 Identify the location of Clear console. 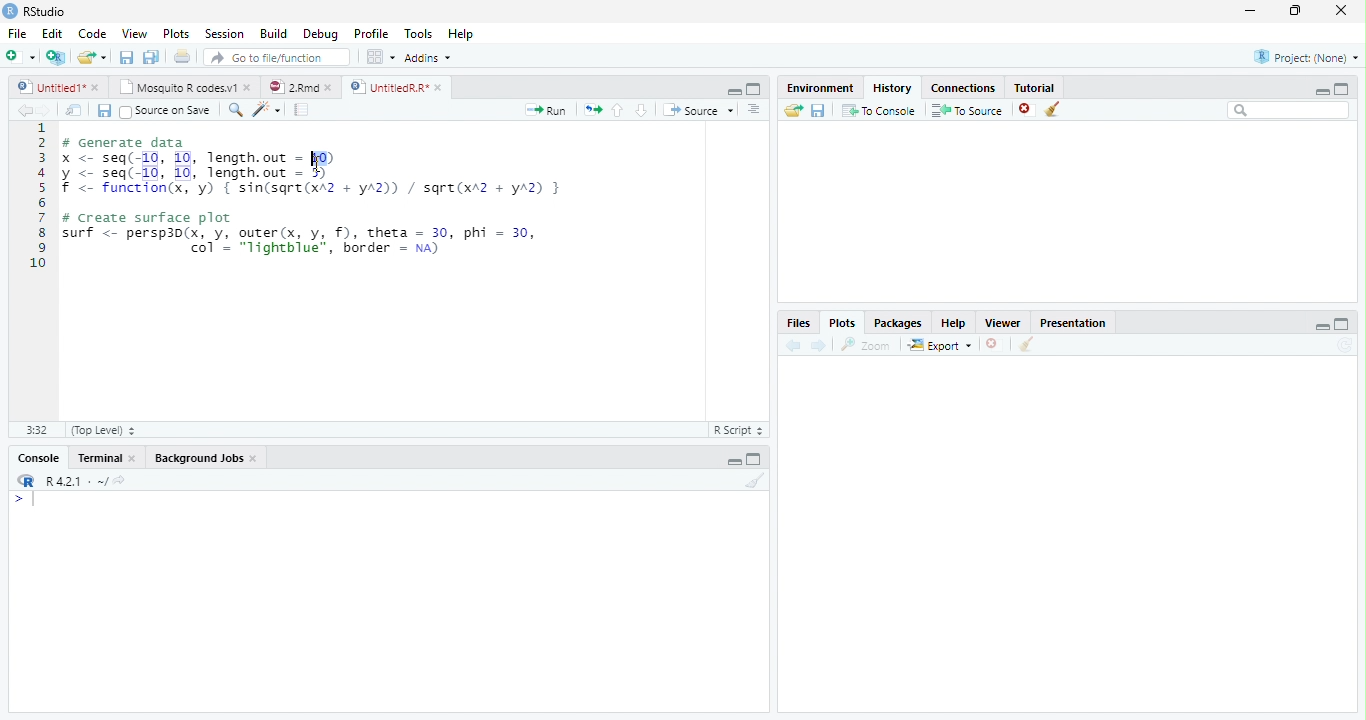
(756, 480).